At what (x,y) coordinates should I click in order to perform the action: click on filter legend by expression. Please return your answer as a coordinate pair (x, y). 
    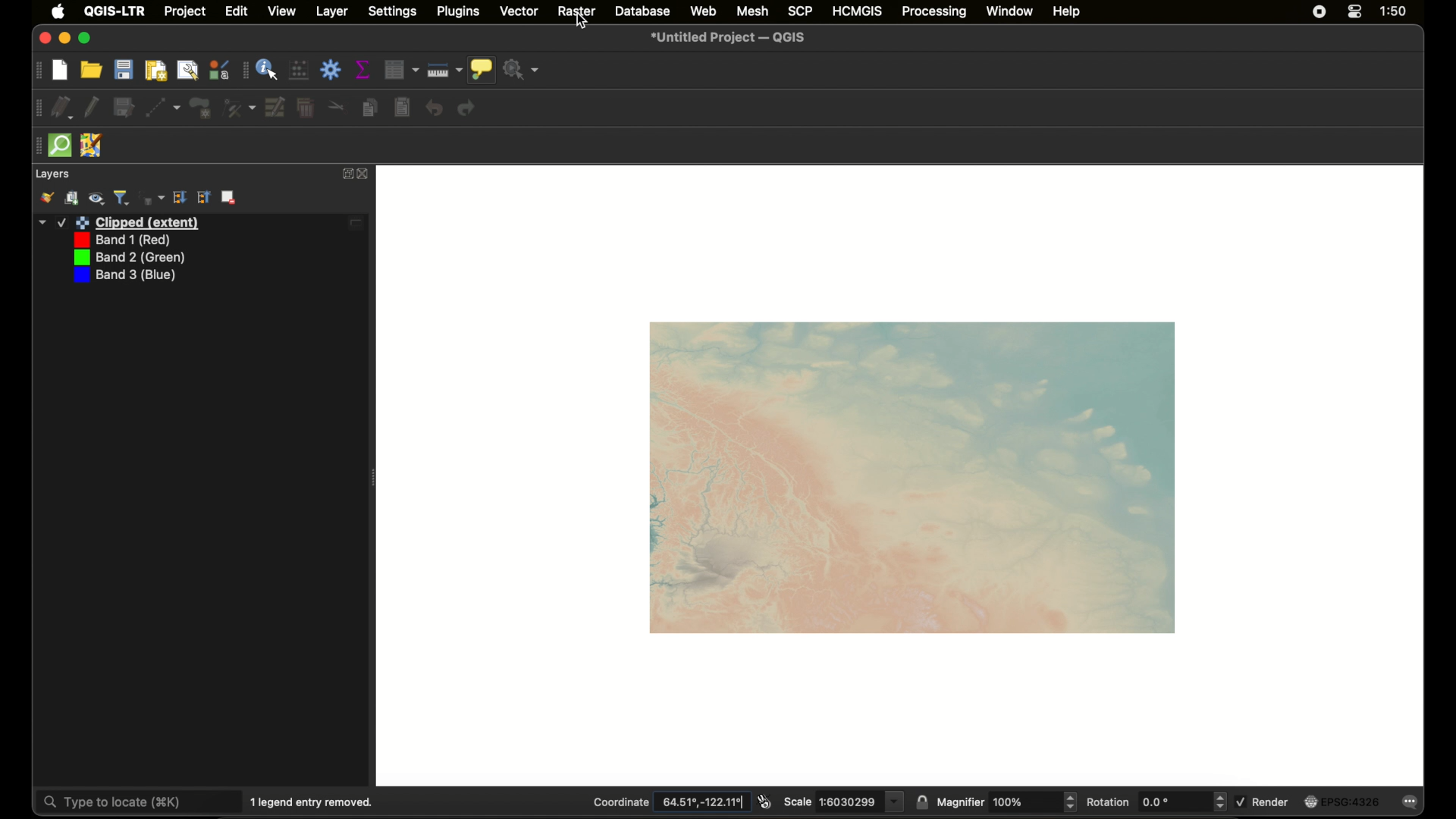
    Looking at the image, I should click on (152, 198).